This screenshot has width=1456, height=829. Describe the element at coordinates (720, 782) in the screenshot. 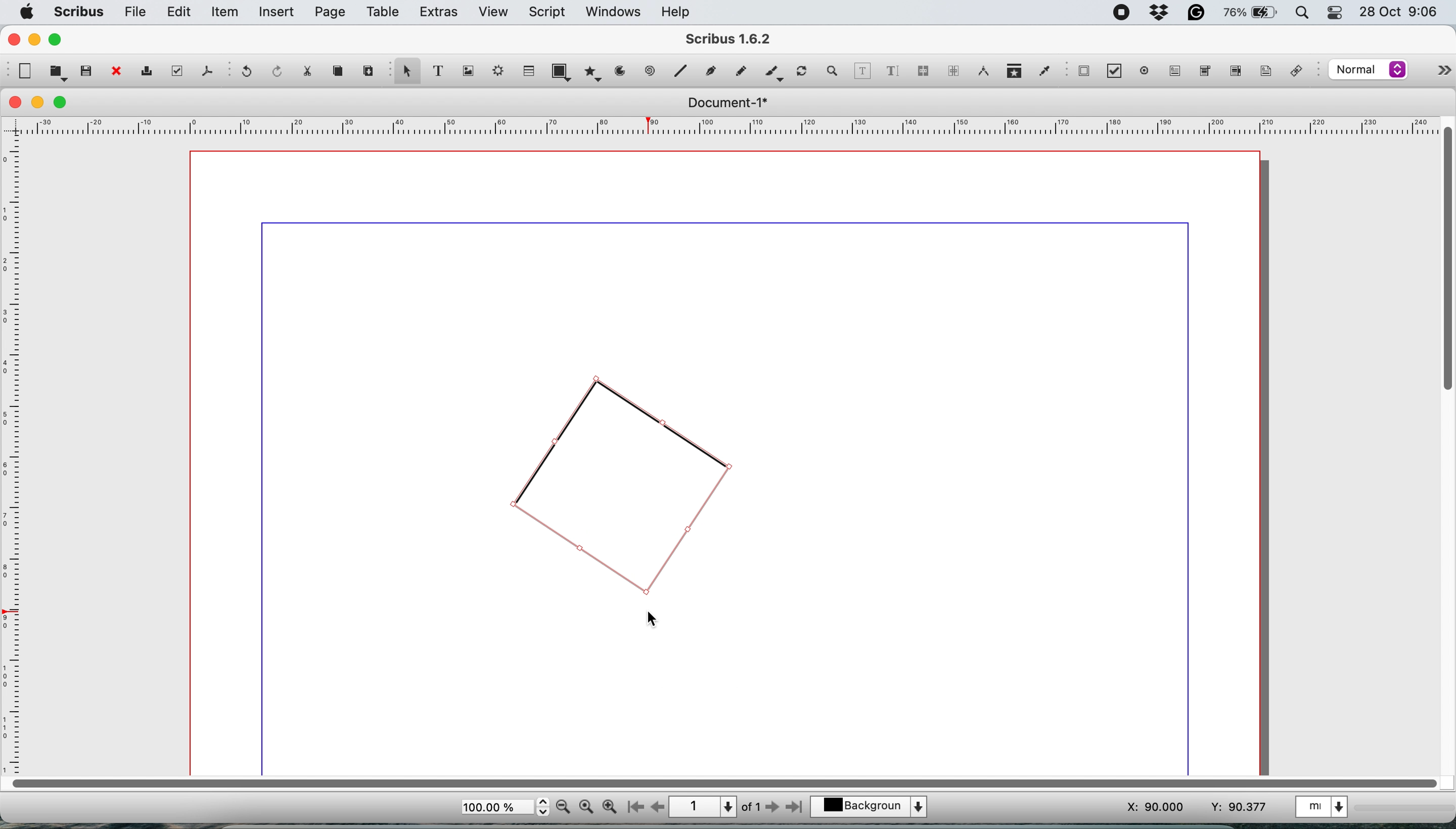

I see `horizontal scroll bar` at that location.